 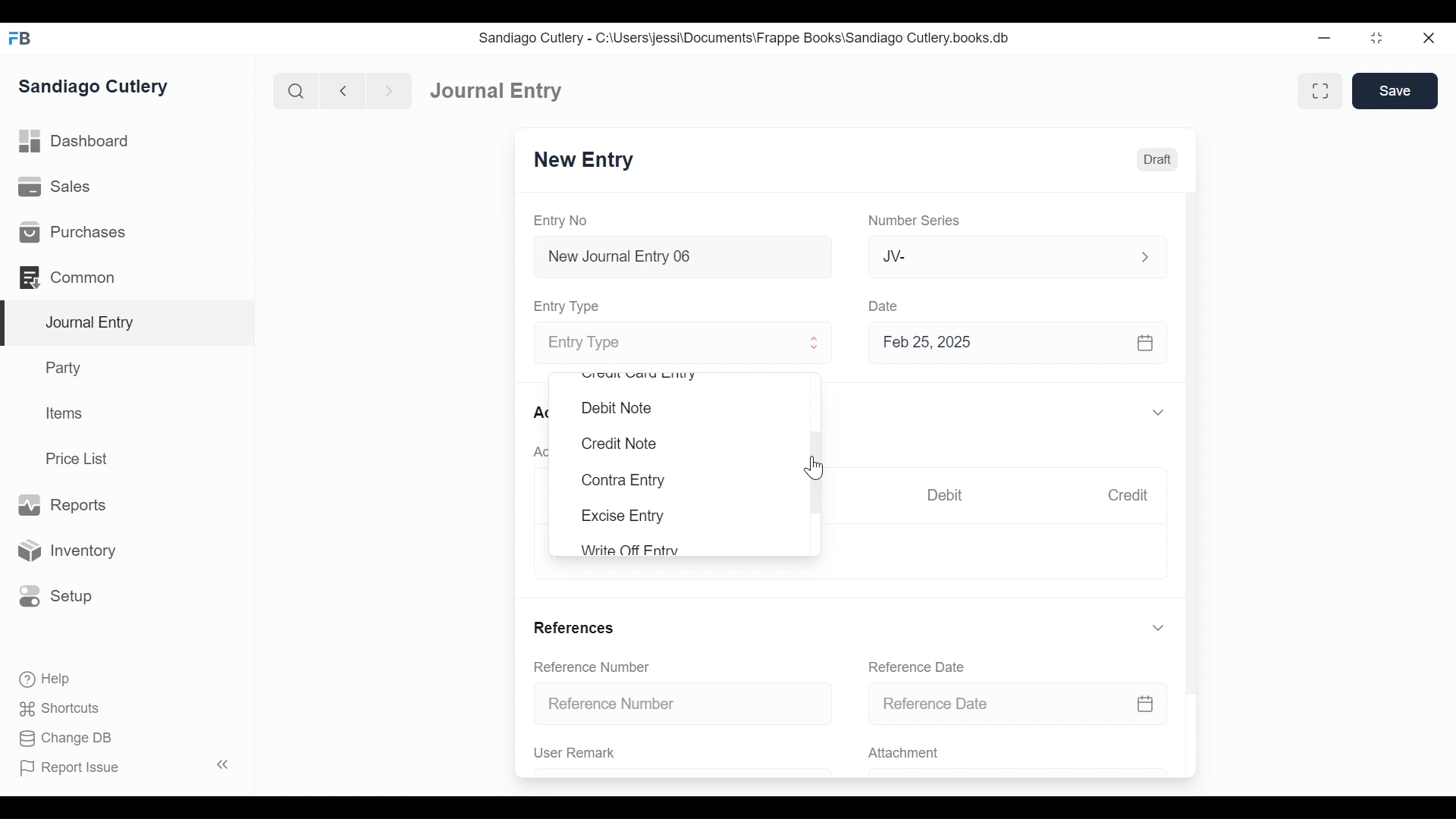 I want to click on Save, so click(x=1395, y=90).